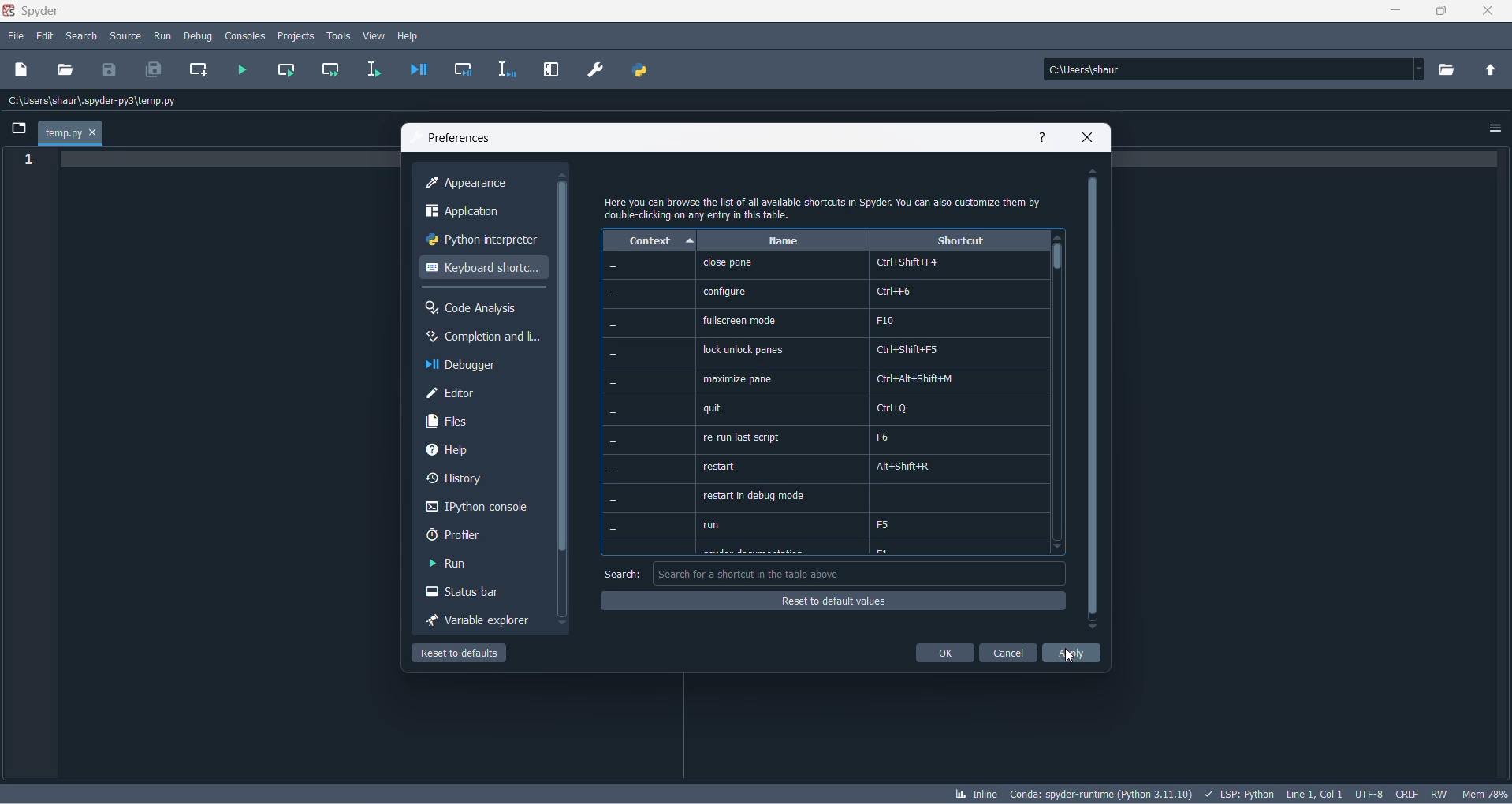  What do you see at coordinates (486, 184) in the screenshot?
I see `appearance` at bounding box center [486, 184].